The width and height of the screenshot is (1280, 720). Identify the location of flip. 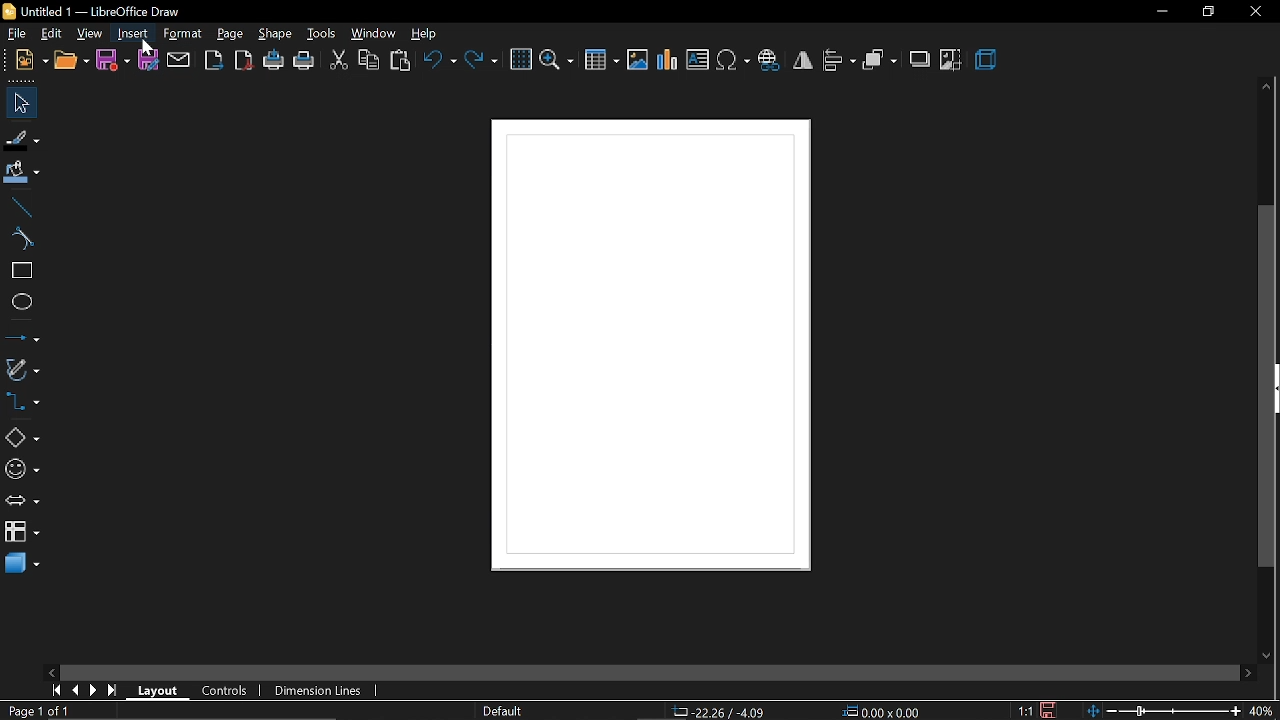
(803, 60).